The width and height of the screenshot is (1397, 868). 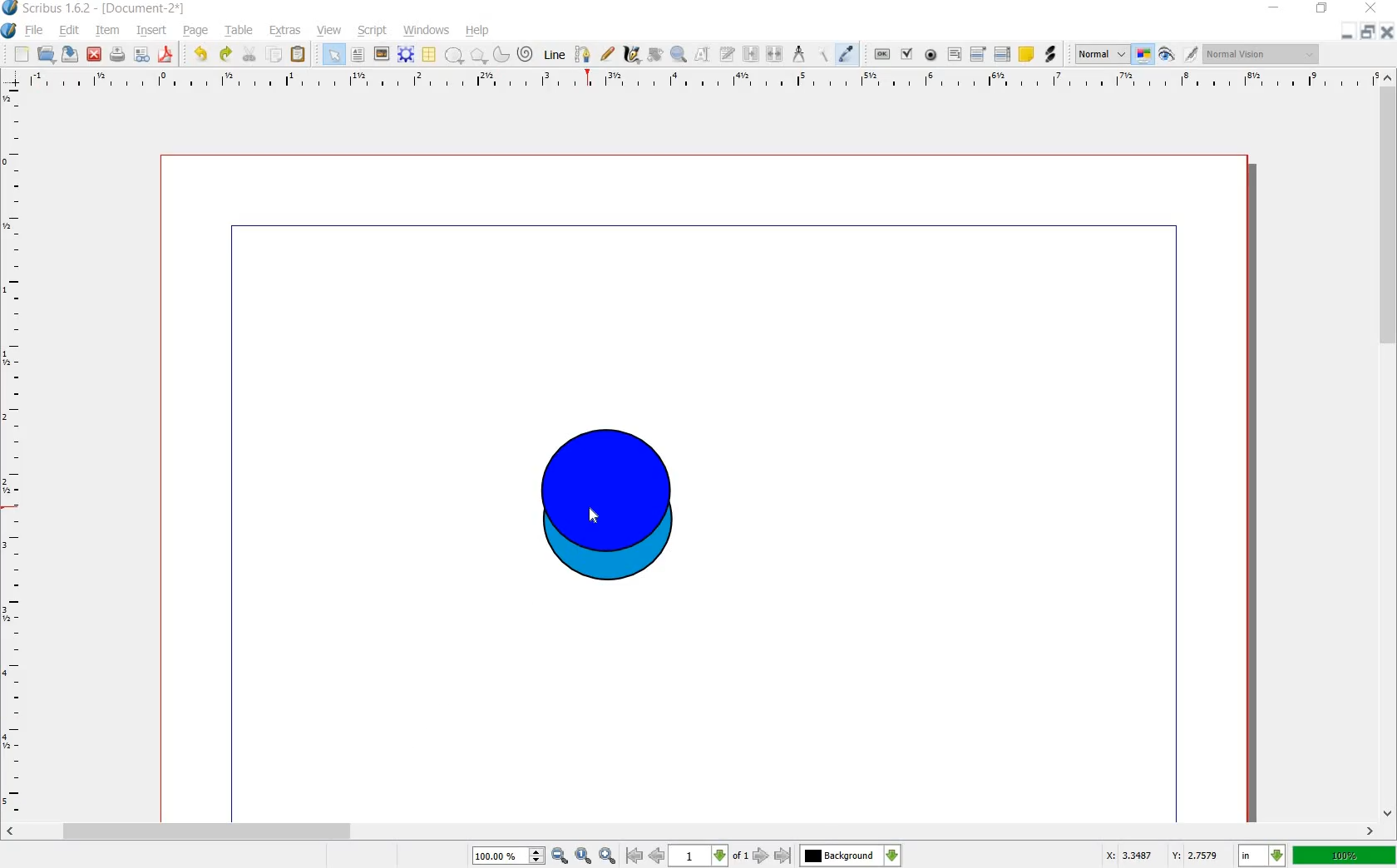 What do you see at coordinates (553, 56) in the screenshot?
I see `line` at bounding box center [553, 56].